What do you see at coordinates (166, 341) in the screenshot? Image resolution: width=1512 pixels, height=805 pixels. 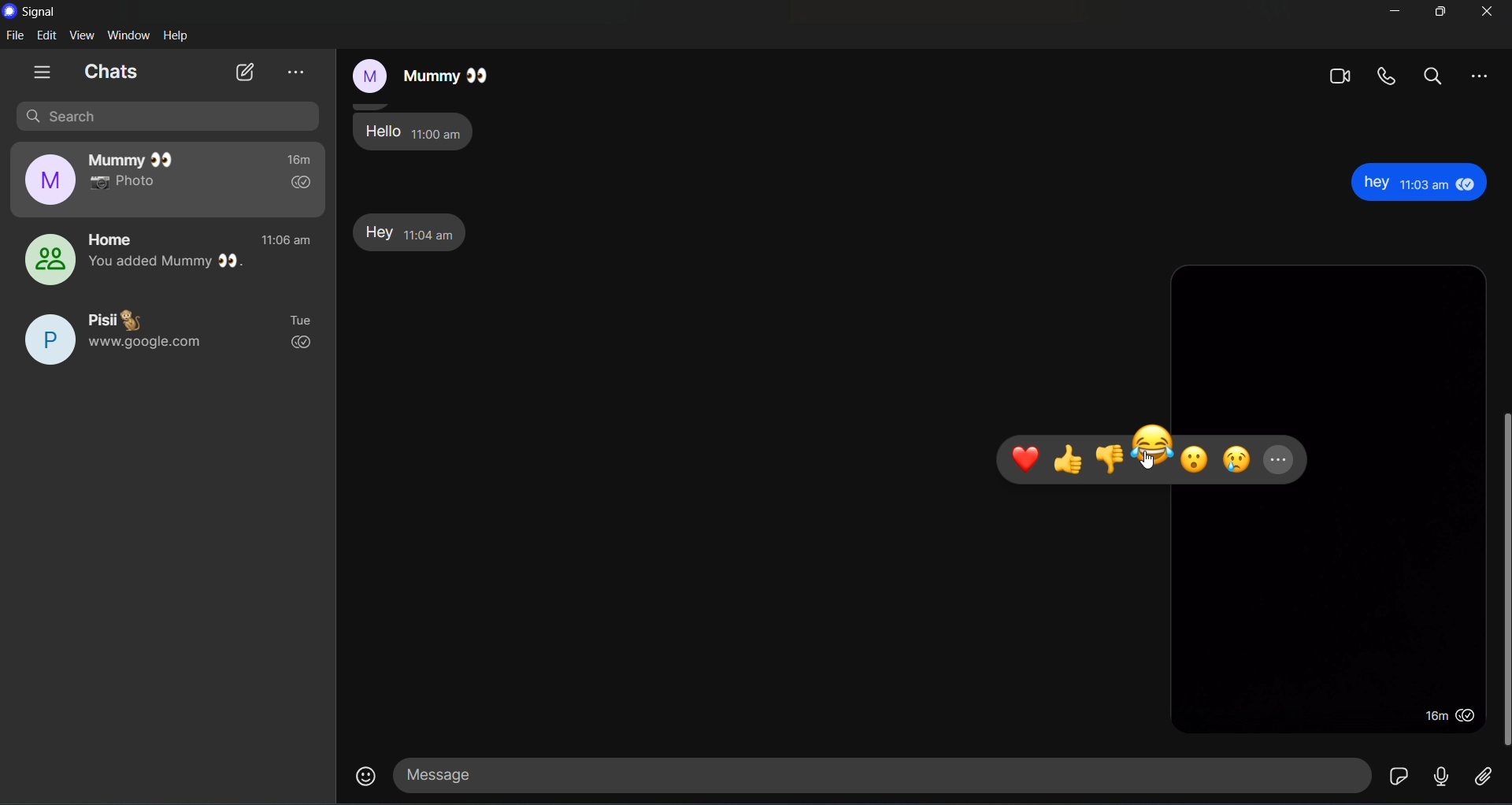 I see `pisii chat` at bounding box center [166, 341].